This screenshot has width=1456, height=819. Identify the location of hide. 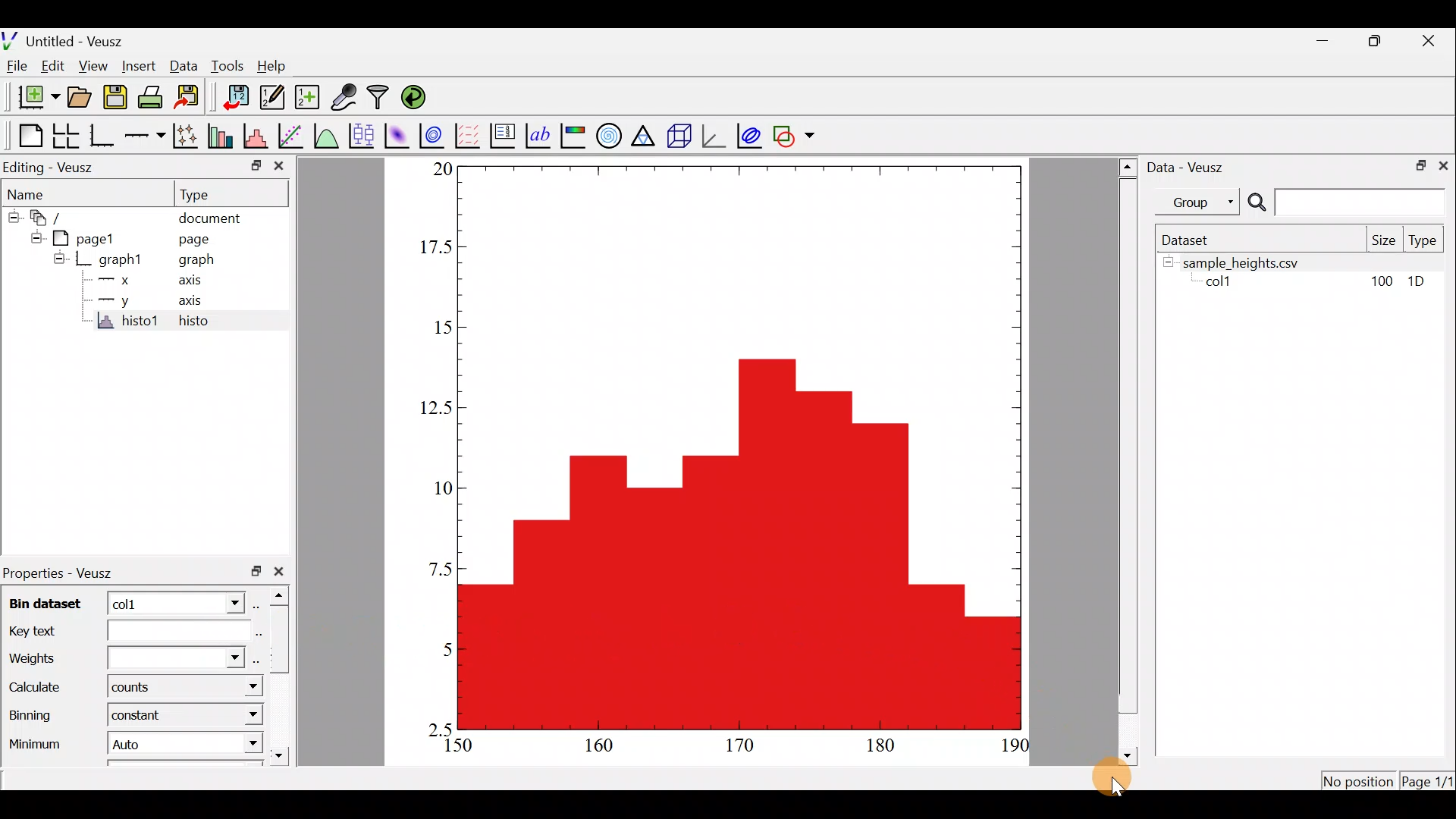
(58, 258).